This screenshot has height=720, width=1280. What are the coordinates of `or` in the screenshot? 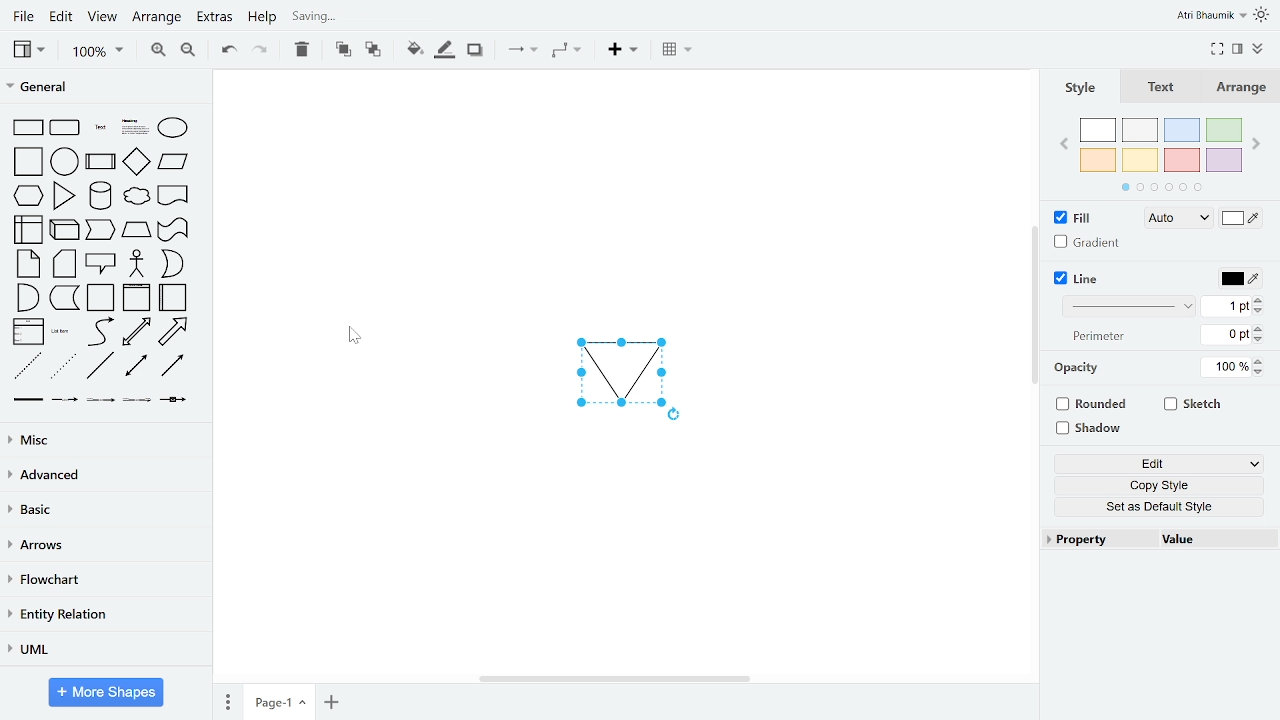 It's located at (171, 264).